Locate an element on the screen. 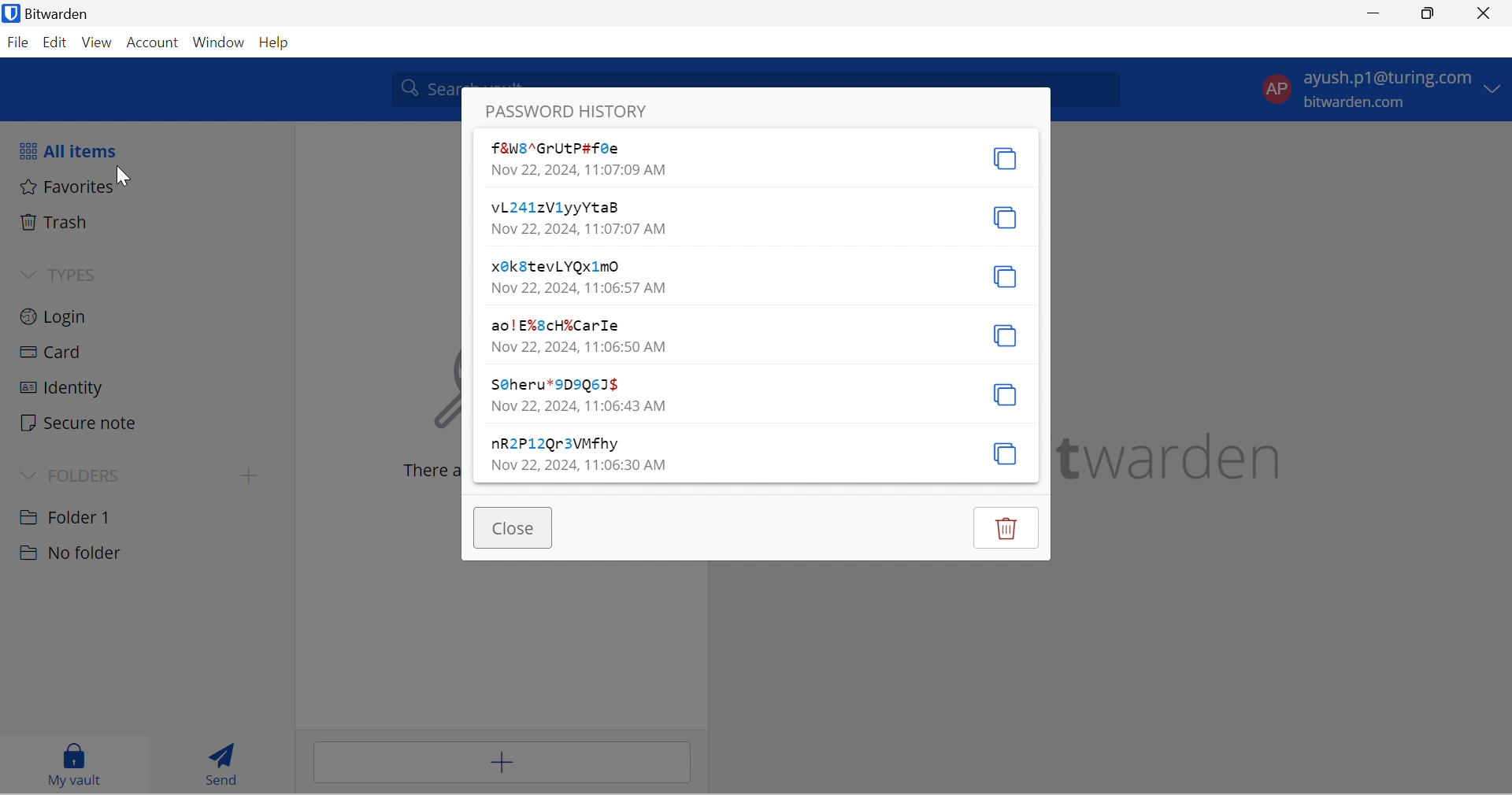 This screenshot has width=1512, height=795. ao!E%8cH%CaIe is located at coordinates (555, 326).